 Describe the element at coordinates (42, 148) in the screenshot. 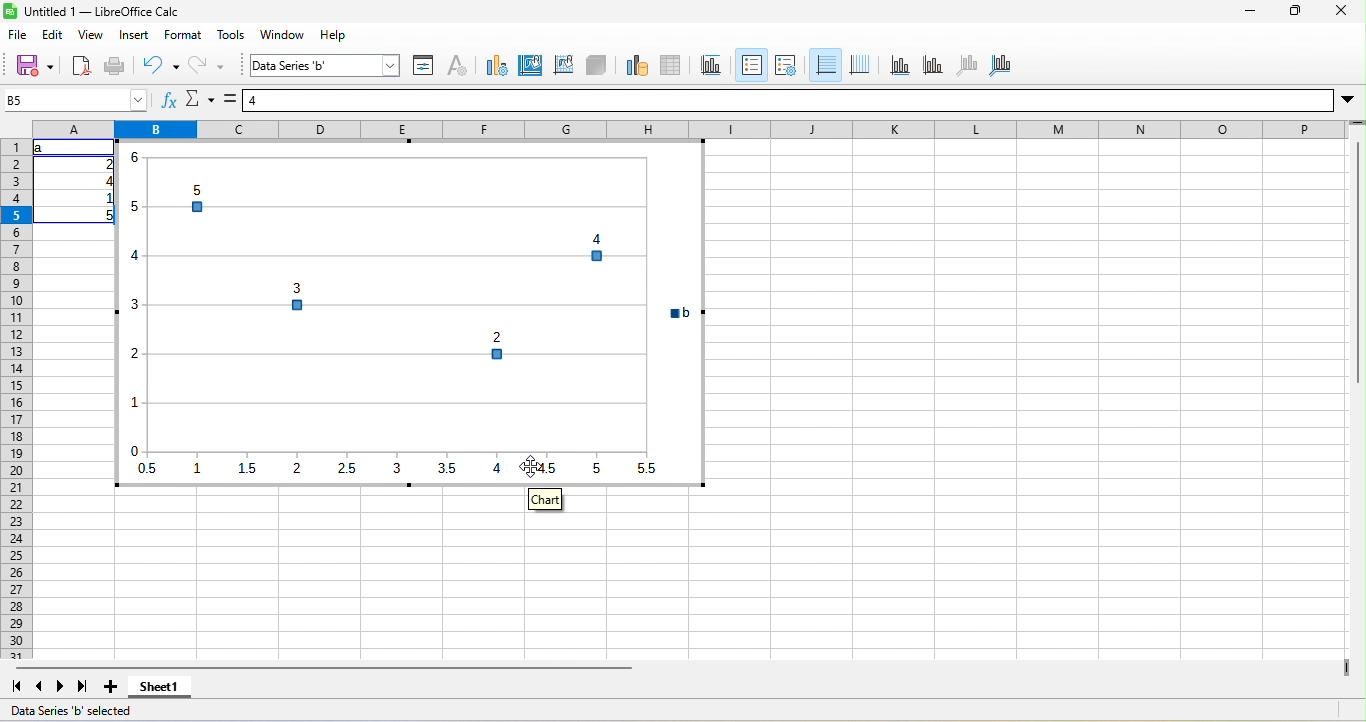

I see `a` at that location.